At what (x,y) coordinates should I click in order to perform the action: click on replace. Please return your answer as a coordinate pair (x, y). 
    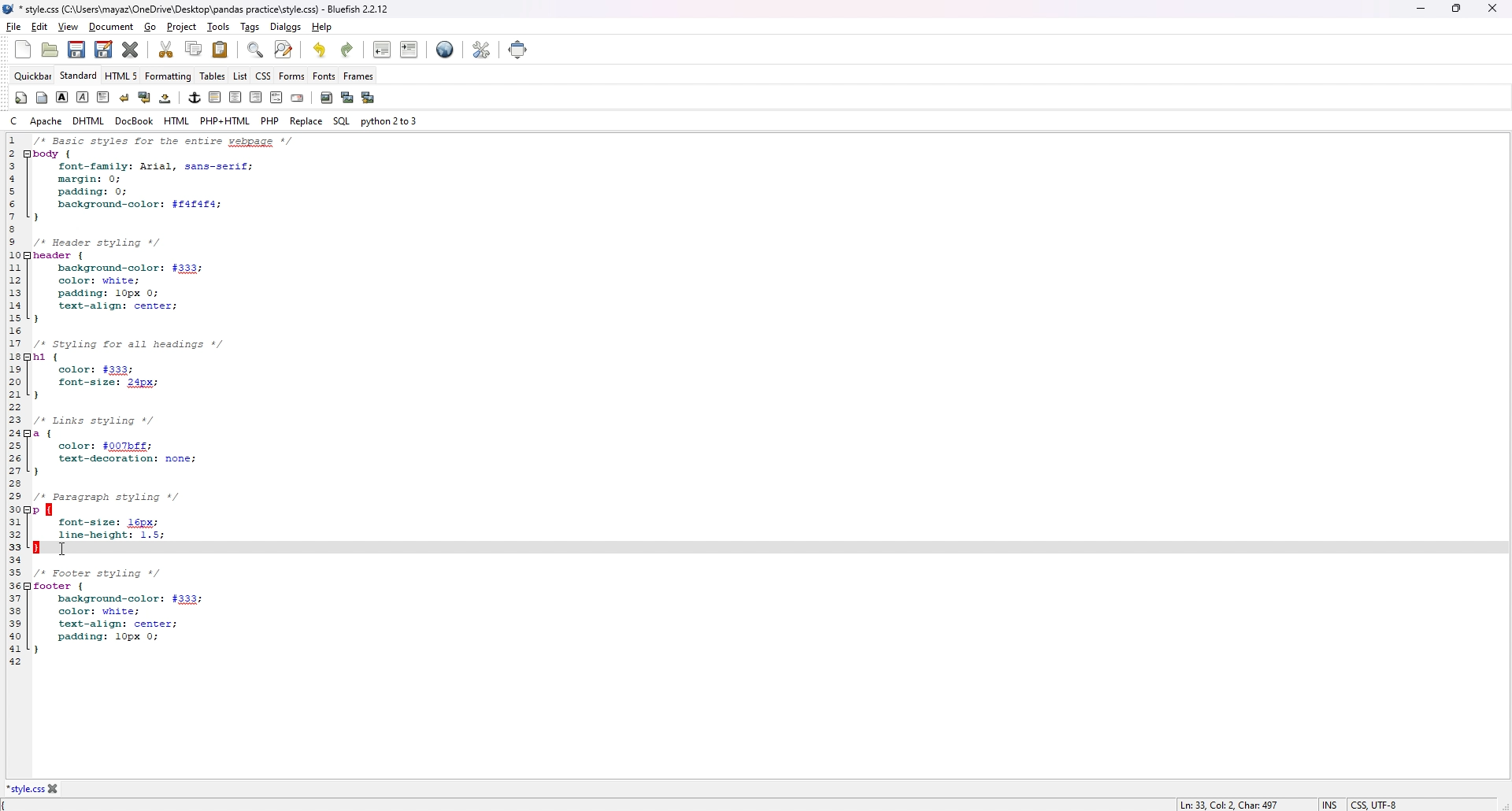
    Looking at the image, I should click on (306, 122).